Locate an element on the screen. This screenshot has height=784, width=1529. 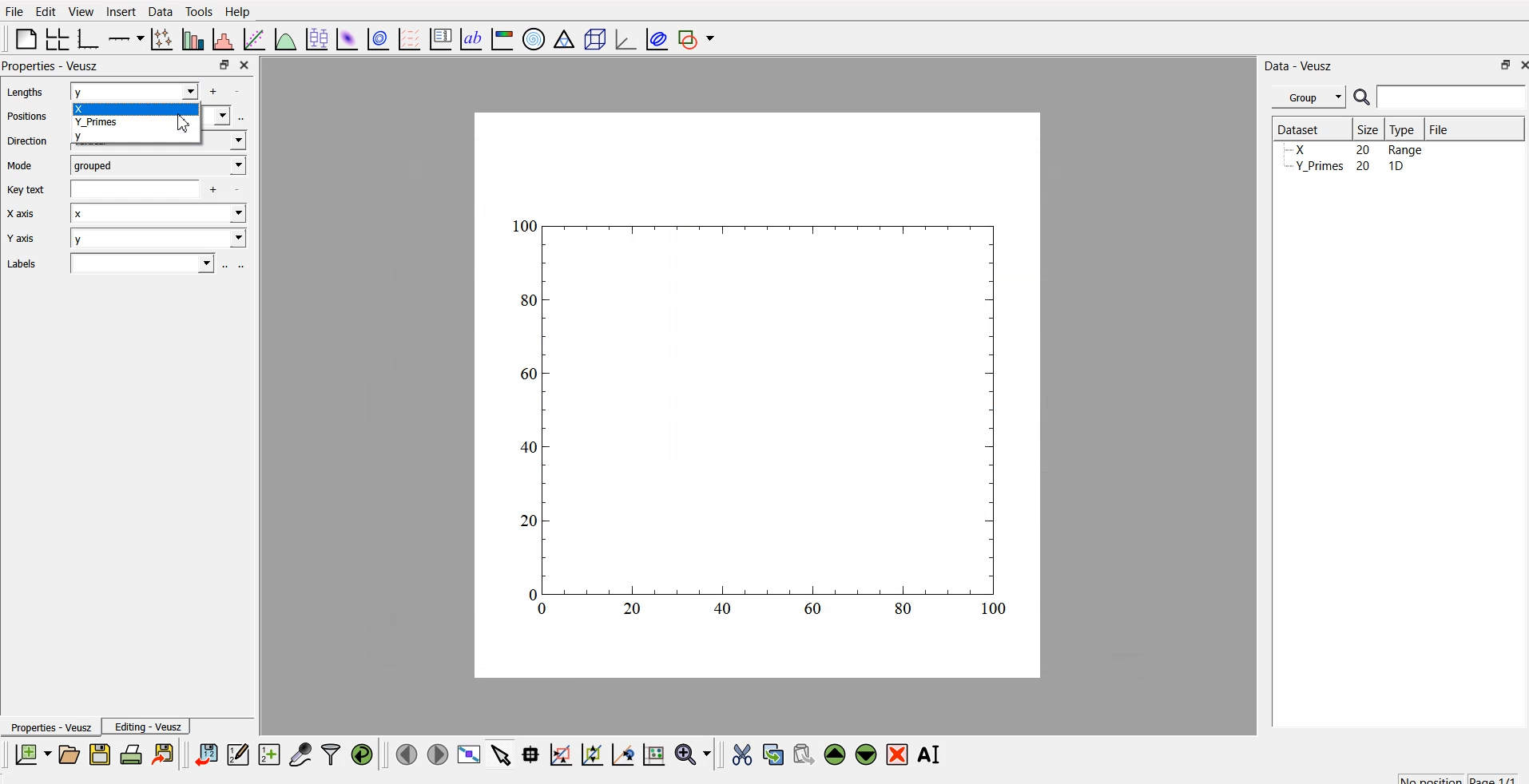
3D scene is located at coordinates (595, 41).